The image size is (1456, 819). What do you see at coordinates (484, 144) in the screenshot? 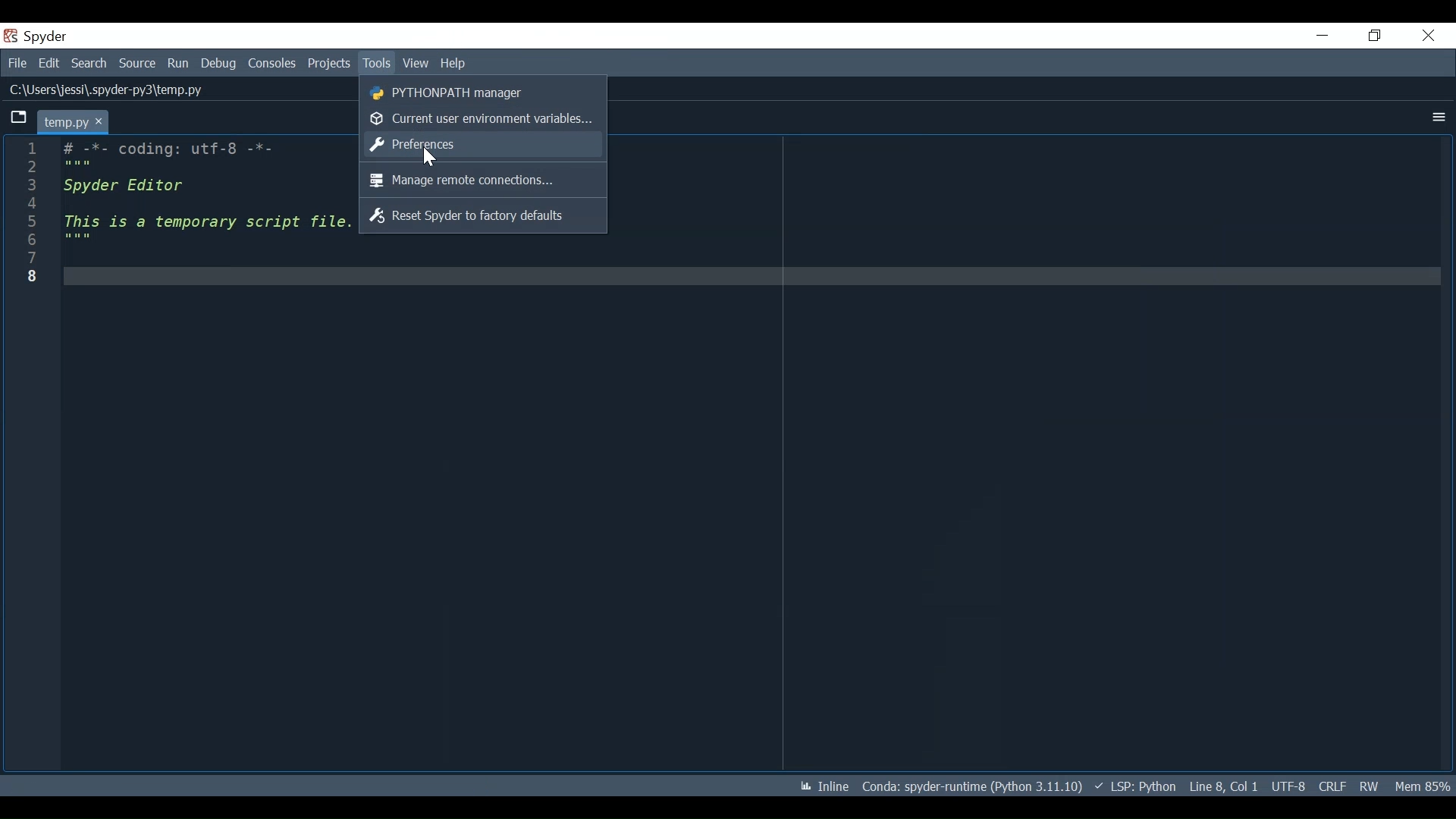
I see `Preferences` at bounding box center [484, 144].